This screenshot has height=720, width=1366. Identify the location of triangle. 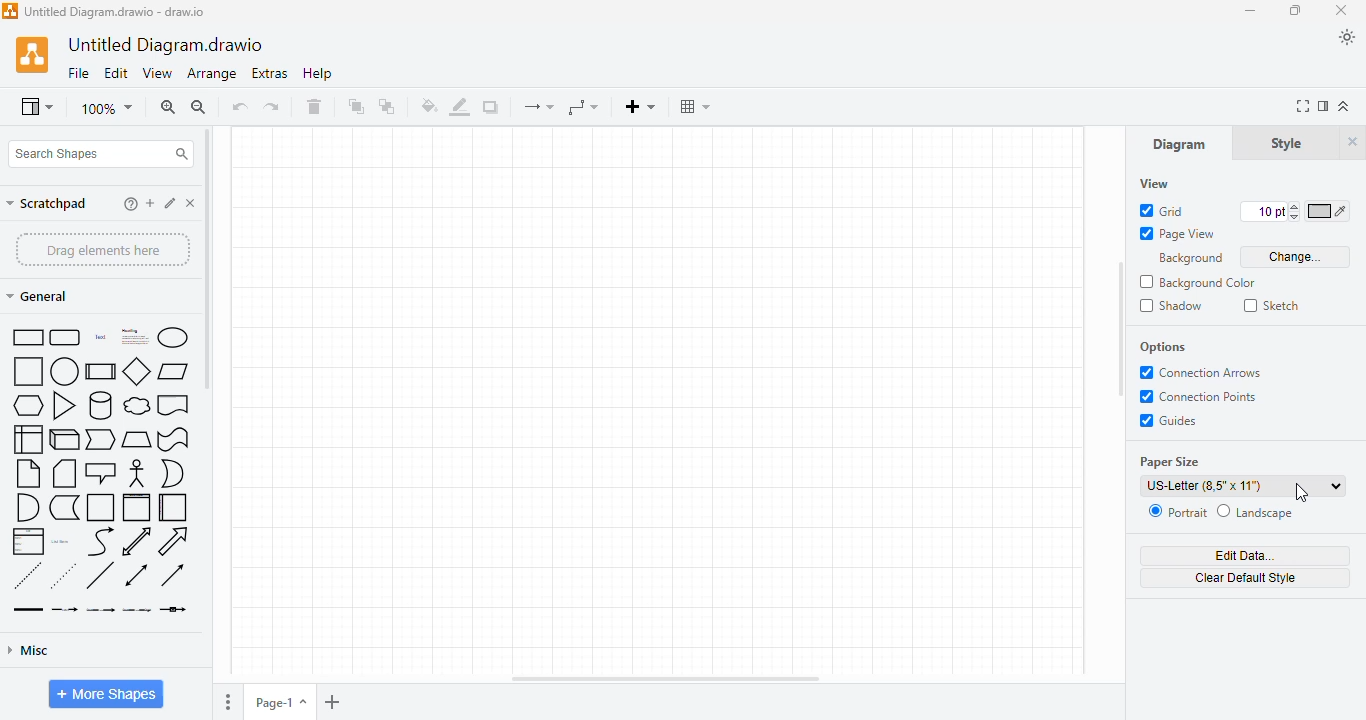
(64, 405).